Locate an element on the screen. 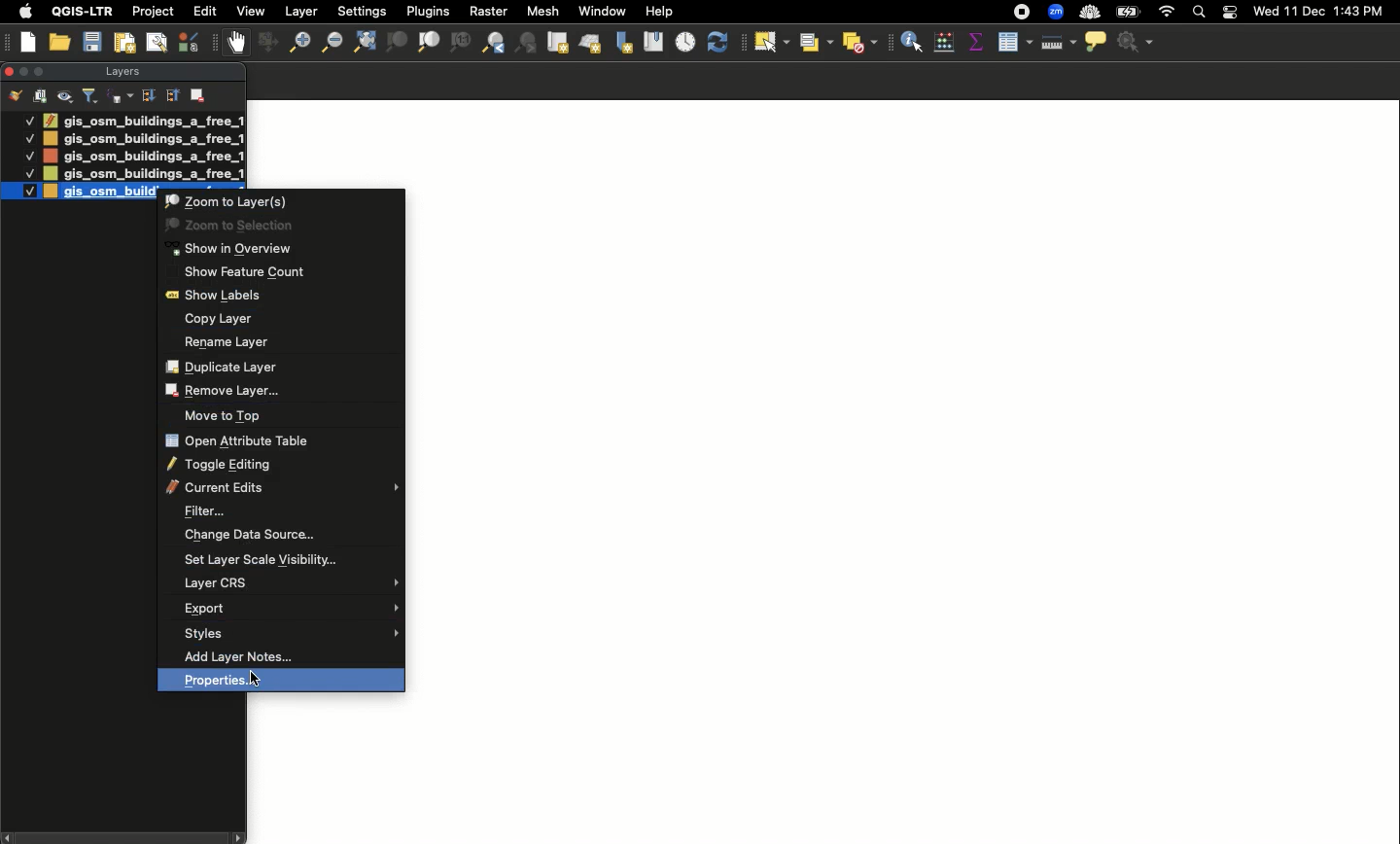 Image resolution: width=1400 pixels, height=844 pixels. Open field calculator is located at coordinates (944, 42).